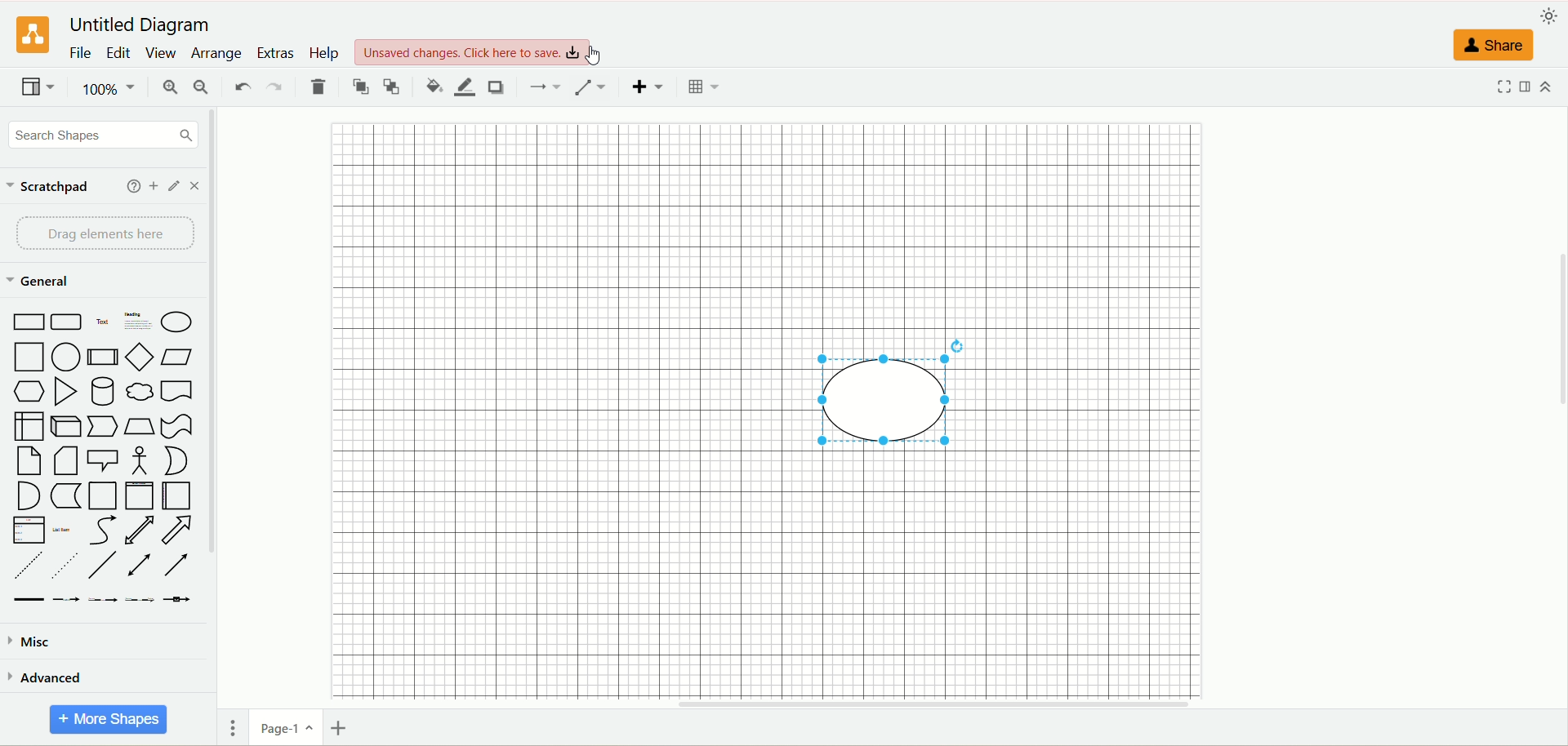 This screenshot has height=746, width=1568. What do you see at coordinates (109, 722) in the screenshot?
I see `more shapes` at bounding box center [109, 722].